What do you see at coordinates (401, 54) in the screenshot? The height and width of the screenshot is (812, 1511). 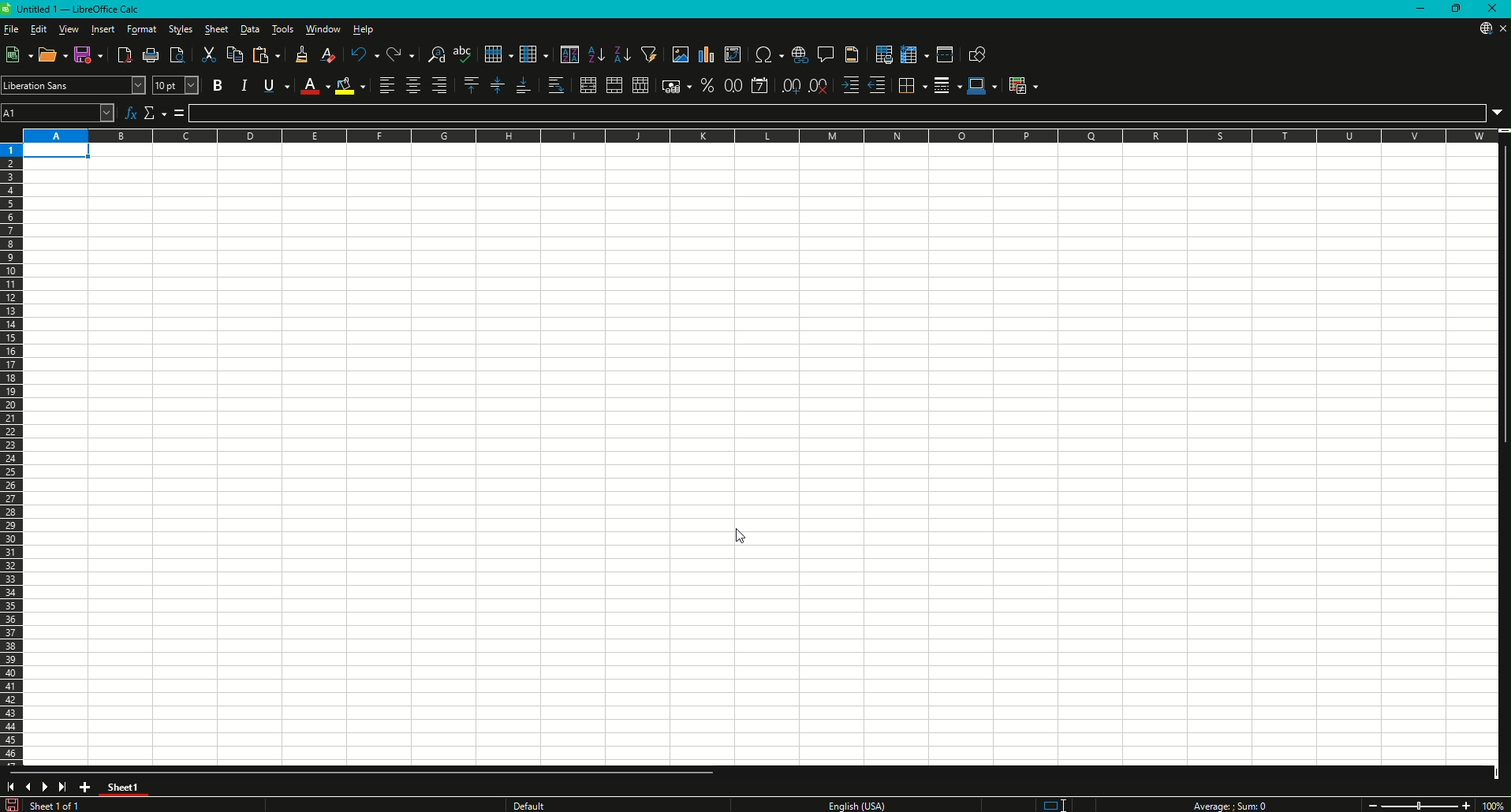 I see `Redo` at bounding box center [401, 54].